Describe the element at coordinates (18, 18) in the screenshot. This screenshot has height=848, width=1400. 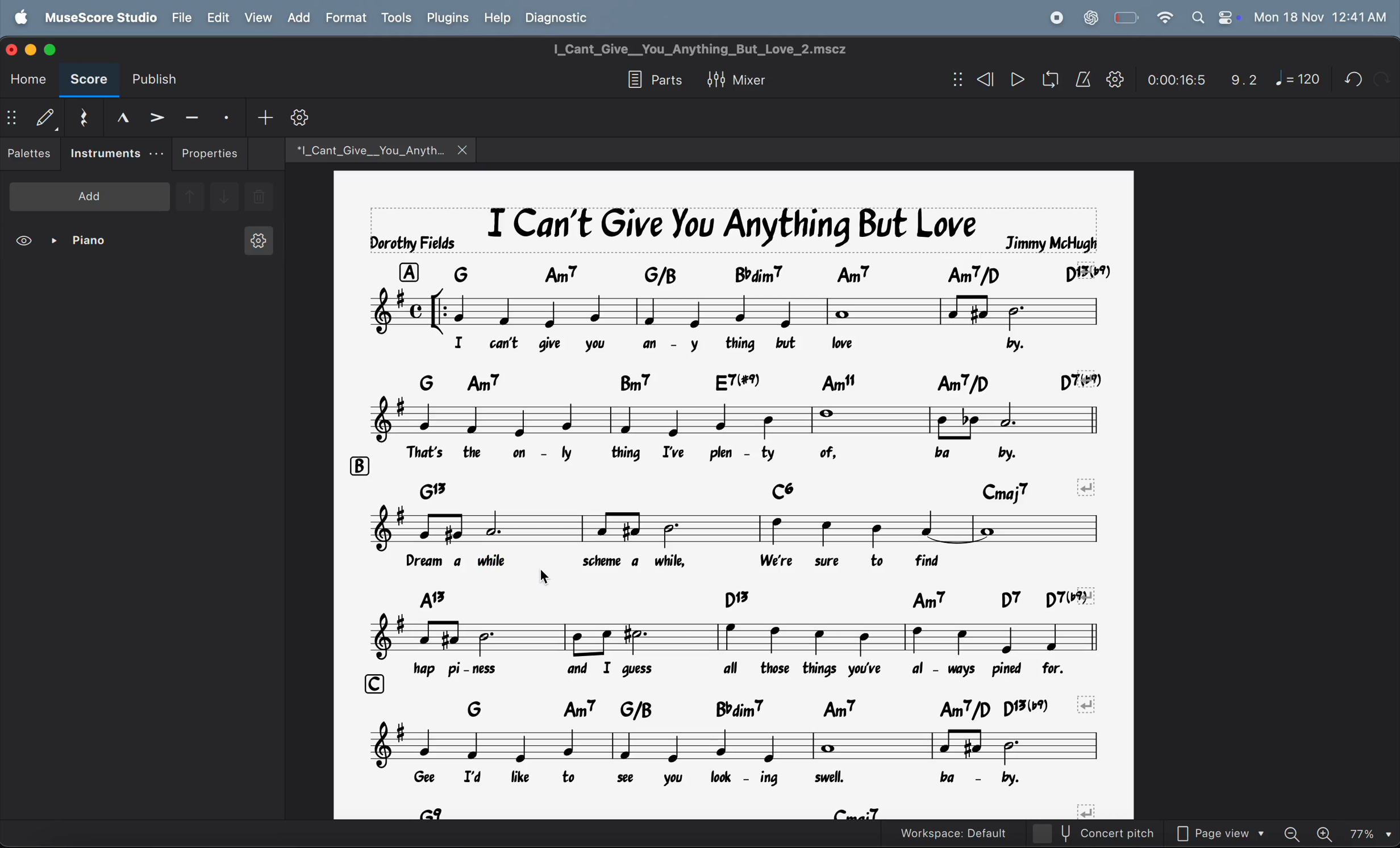
I see `apple logo` at that location.